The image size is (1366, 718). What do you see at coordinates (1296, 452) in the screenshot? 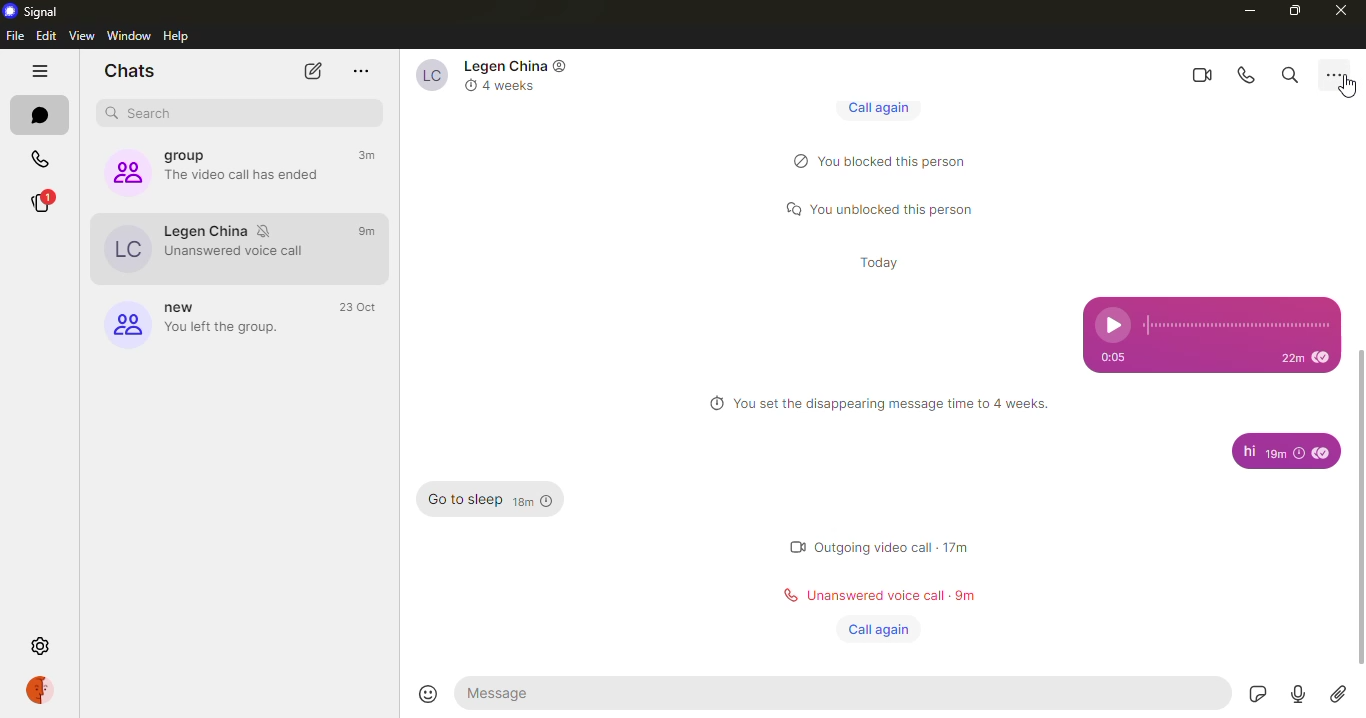
I see `time` at bounding box center [1296, 452].